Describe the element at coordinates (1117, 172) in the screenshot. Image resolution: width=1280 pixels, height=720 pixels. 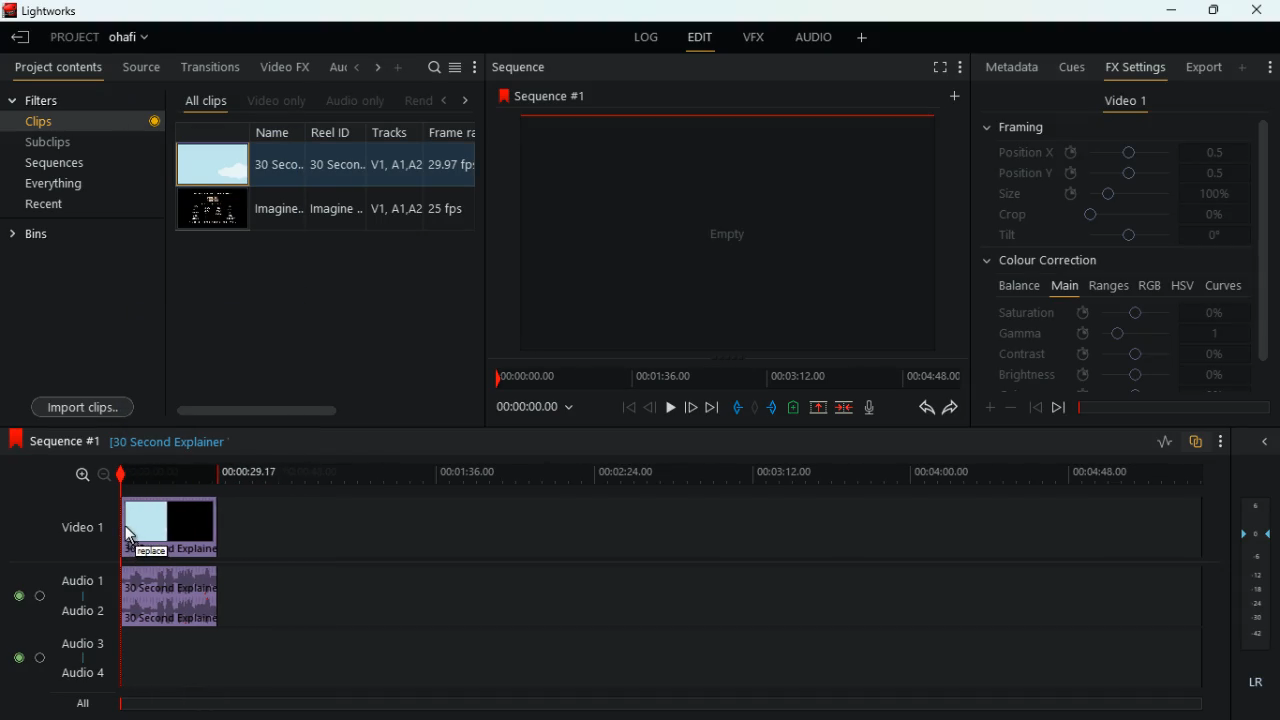
I see `position y` at that location.